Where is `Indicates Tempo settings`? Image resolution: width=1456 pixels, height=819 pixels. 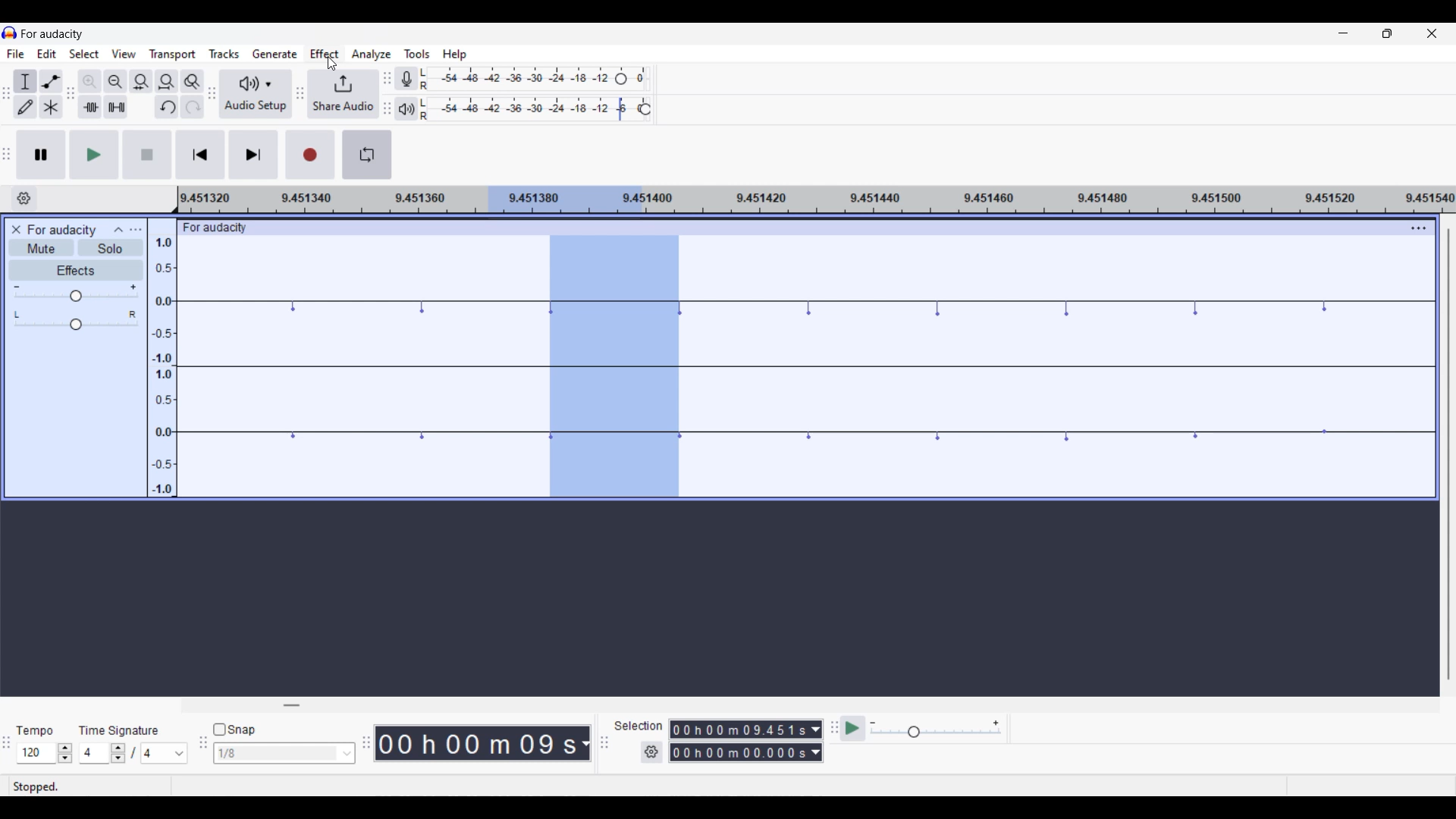 Indicates Tempo settings is located at coordinates (34, 730).